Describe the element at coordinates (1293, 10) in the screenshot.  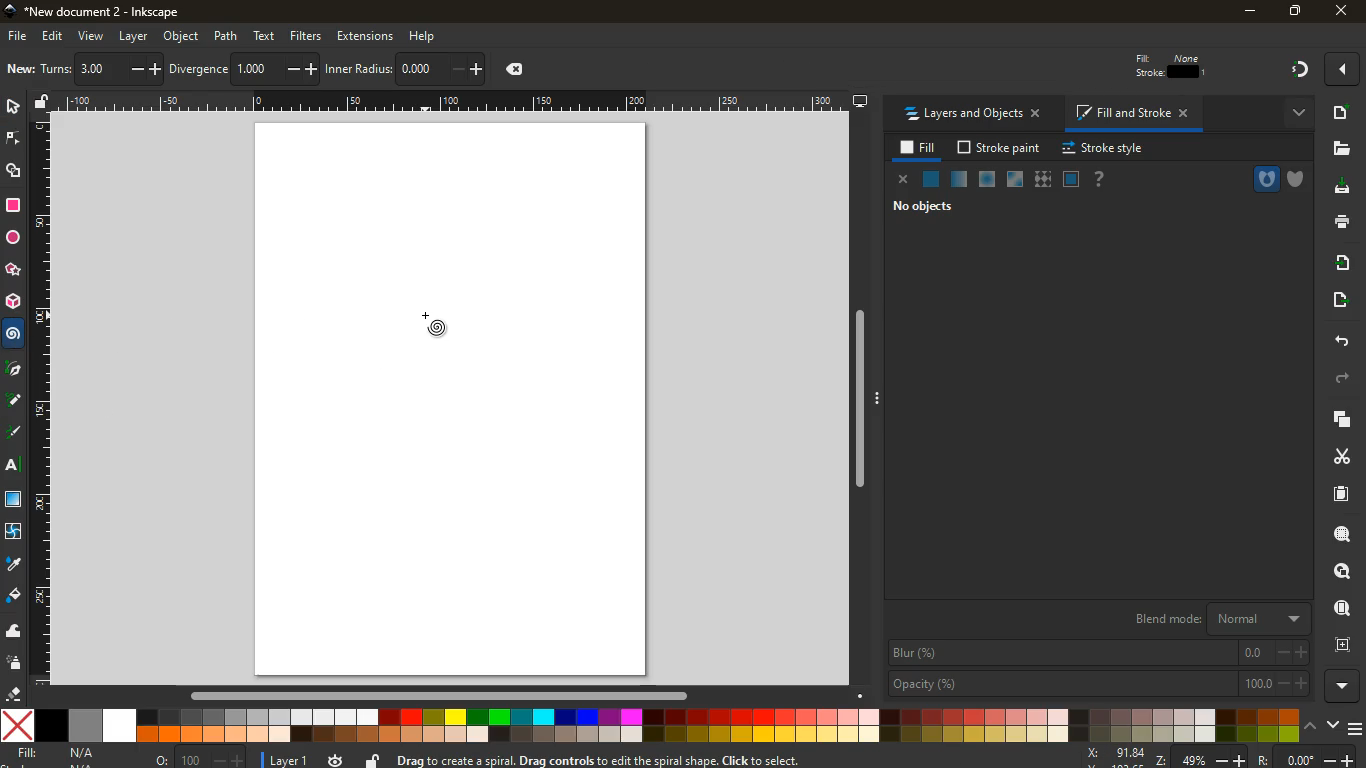
I see `maximize` at that location.